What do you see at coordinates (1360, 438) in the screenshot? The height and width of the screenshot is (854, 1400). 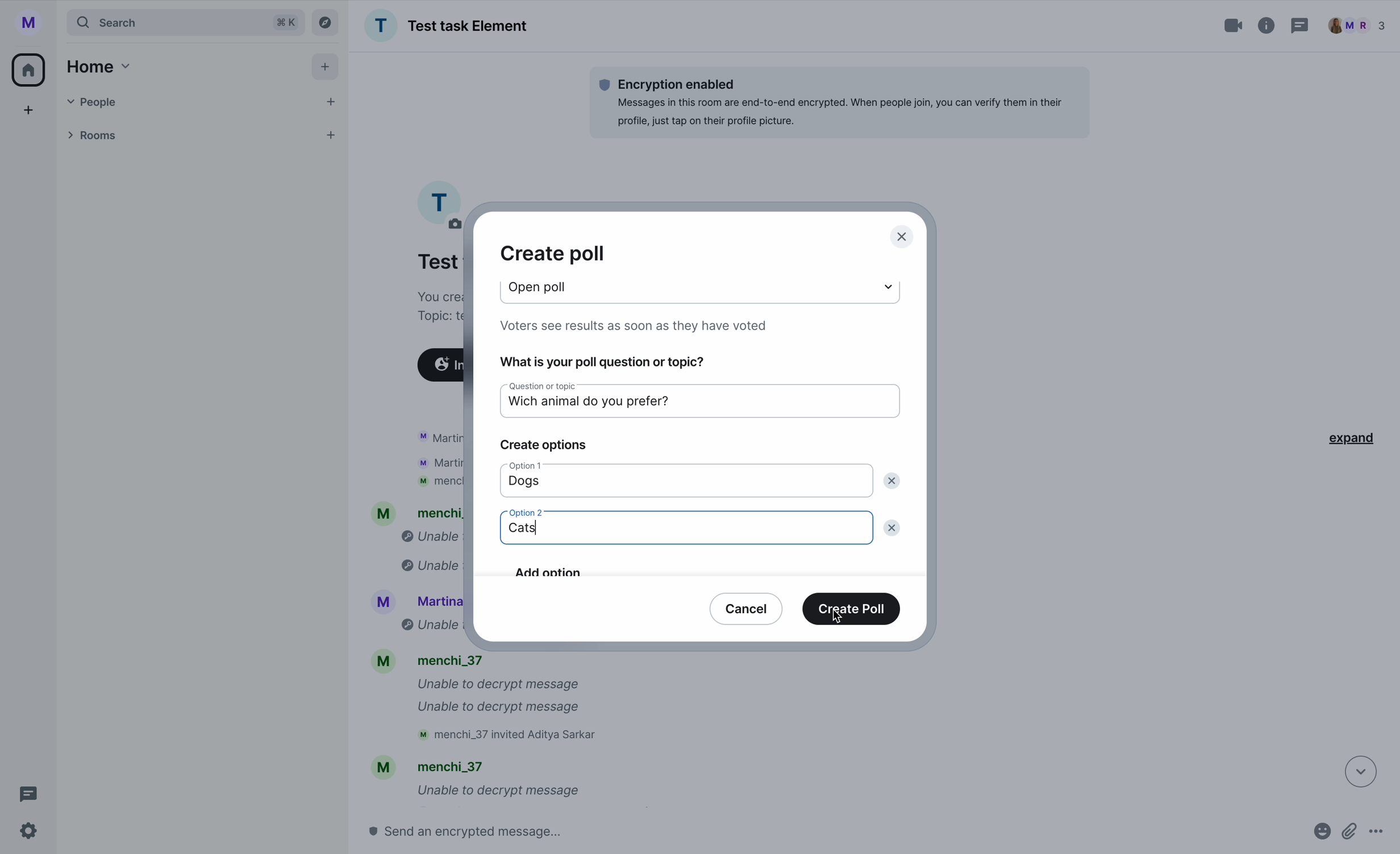 I see `expand` at bounding box center [1360, 438].